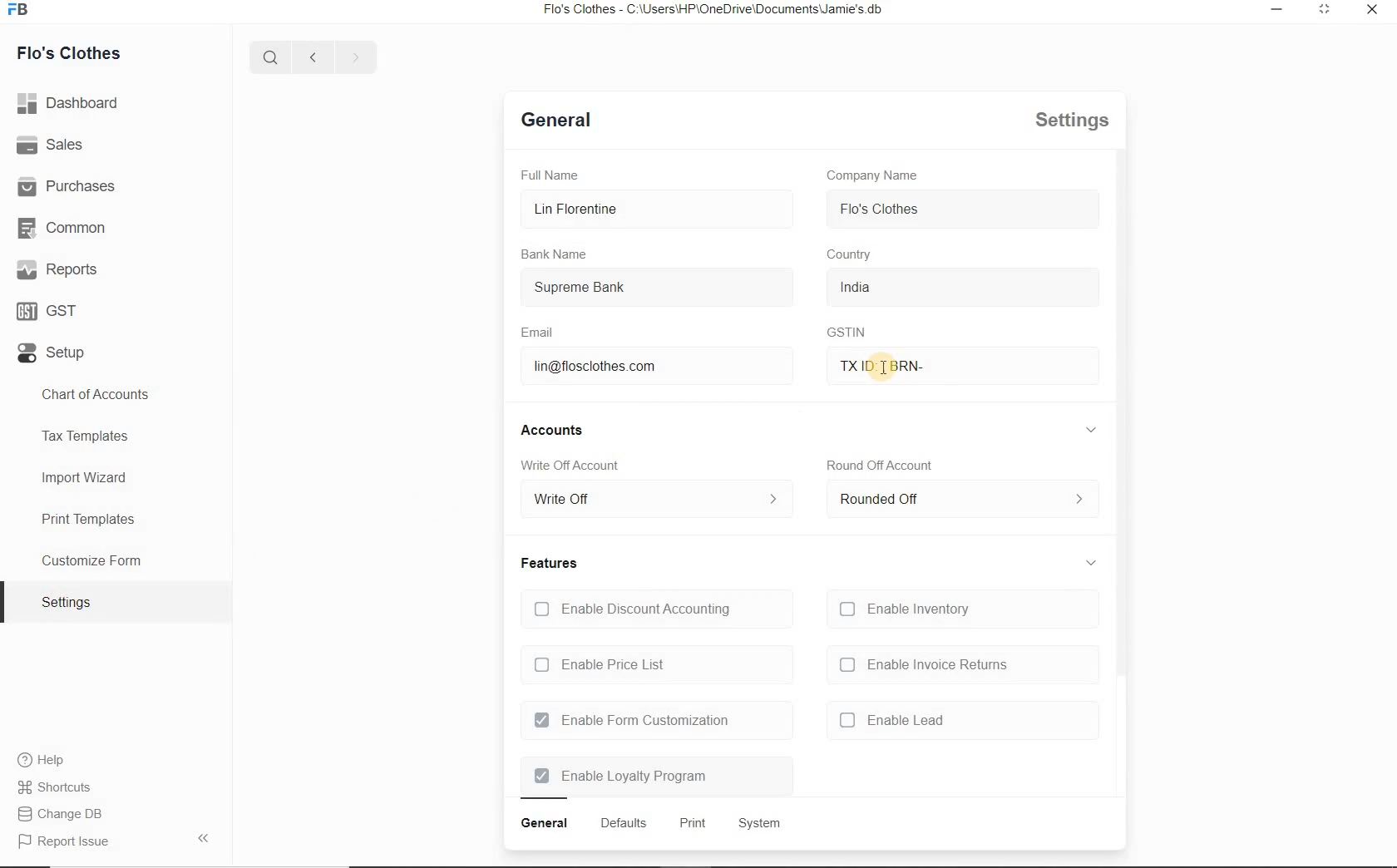  What do you see at coordinates (70, 103) in the screenshot?
I see `dashboard` at bounding box center [70, 103].